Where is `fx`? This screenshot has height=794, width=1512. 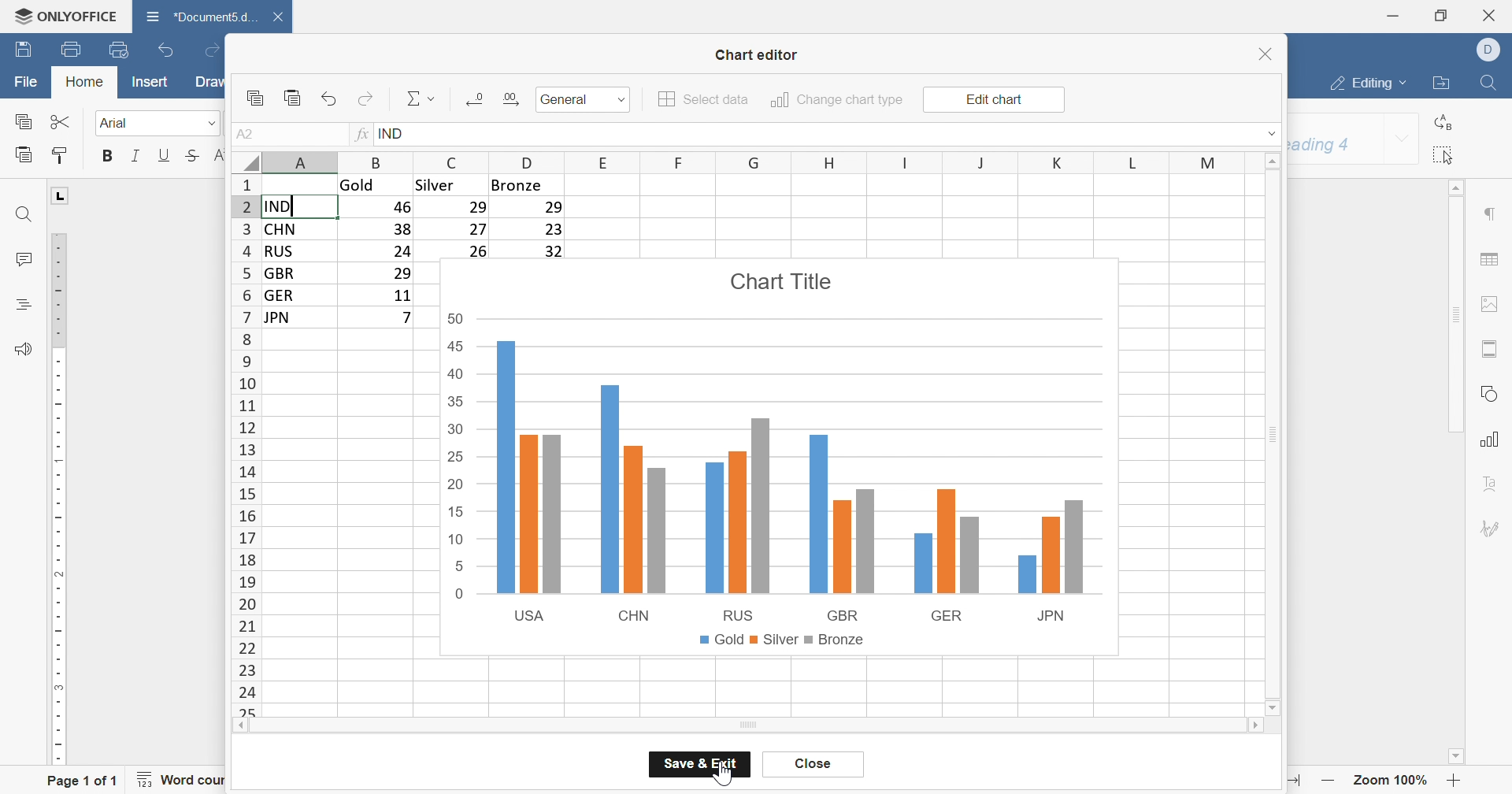 fx is located at coordinates (362, 135).